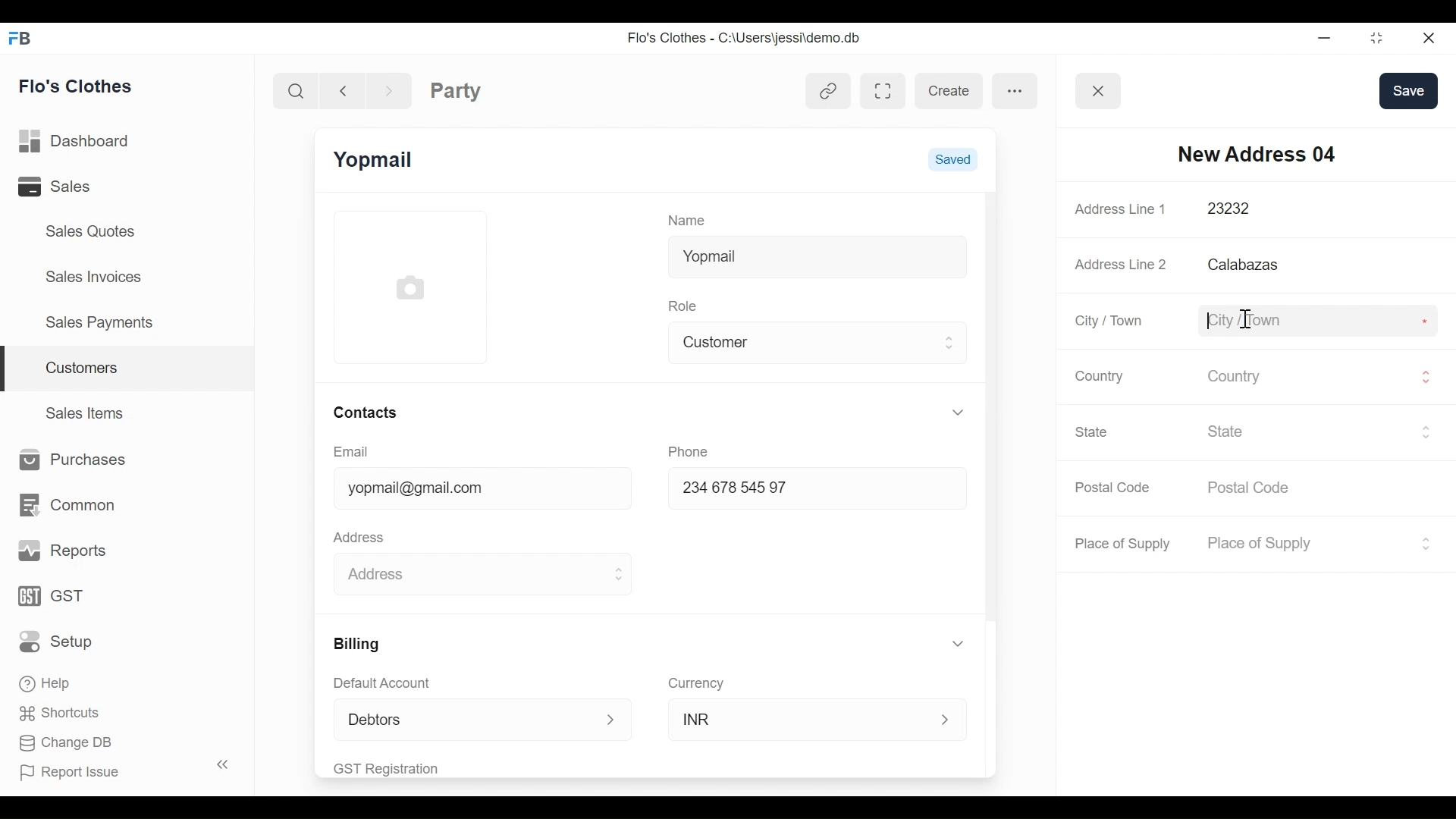 Image resolution: width=1456 pixels, height=819 pixels. I want to click on Role, so click(686, 304).